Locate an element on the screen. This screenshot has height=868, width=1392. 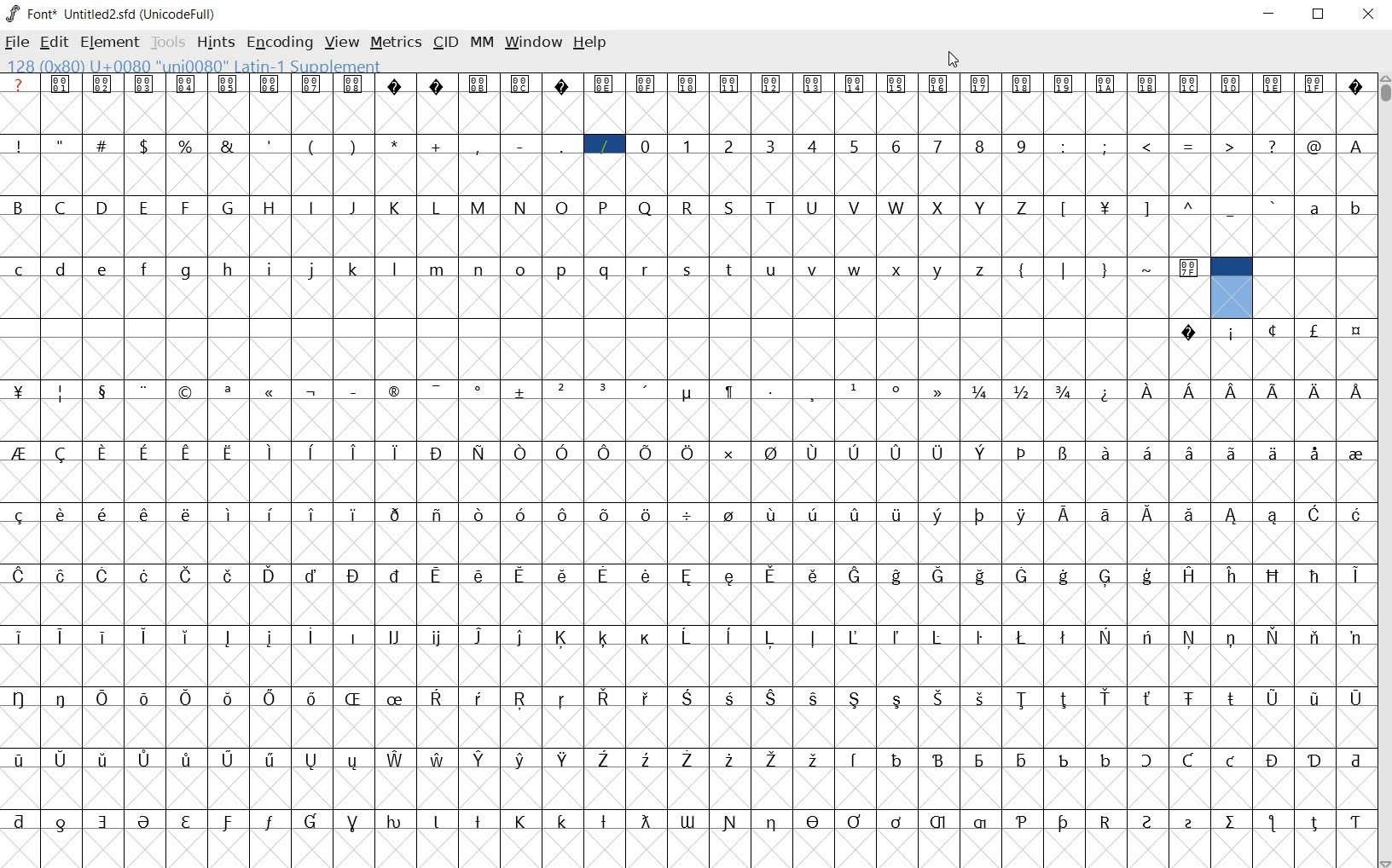
Symbol is located at coordinates (1064, 85).